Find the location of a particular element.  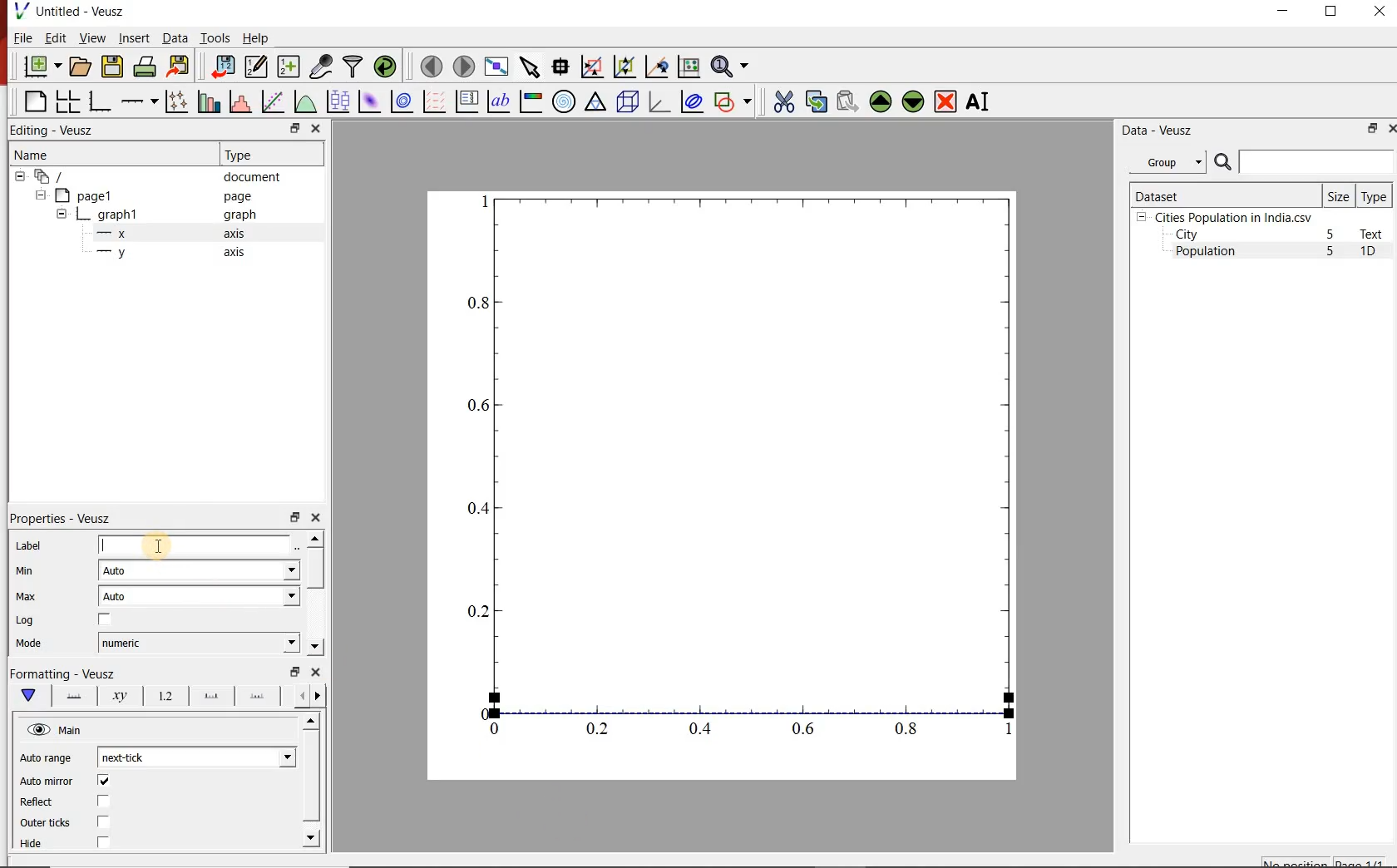

select items from the graph or scroll is located at coordinates (529, 66).